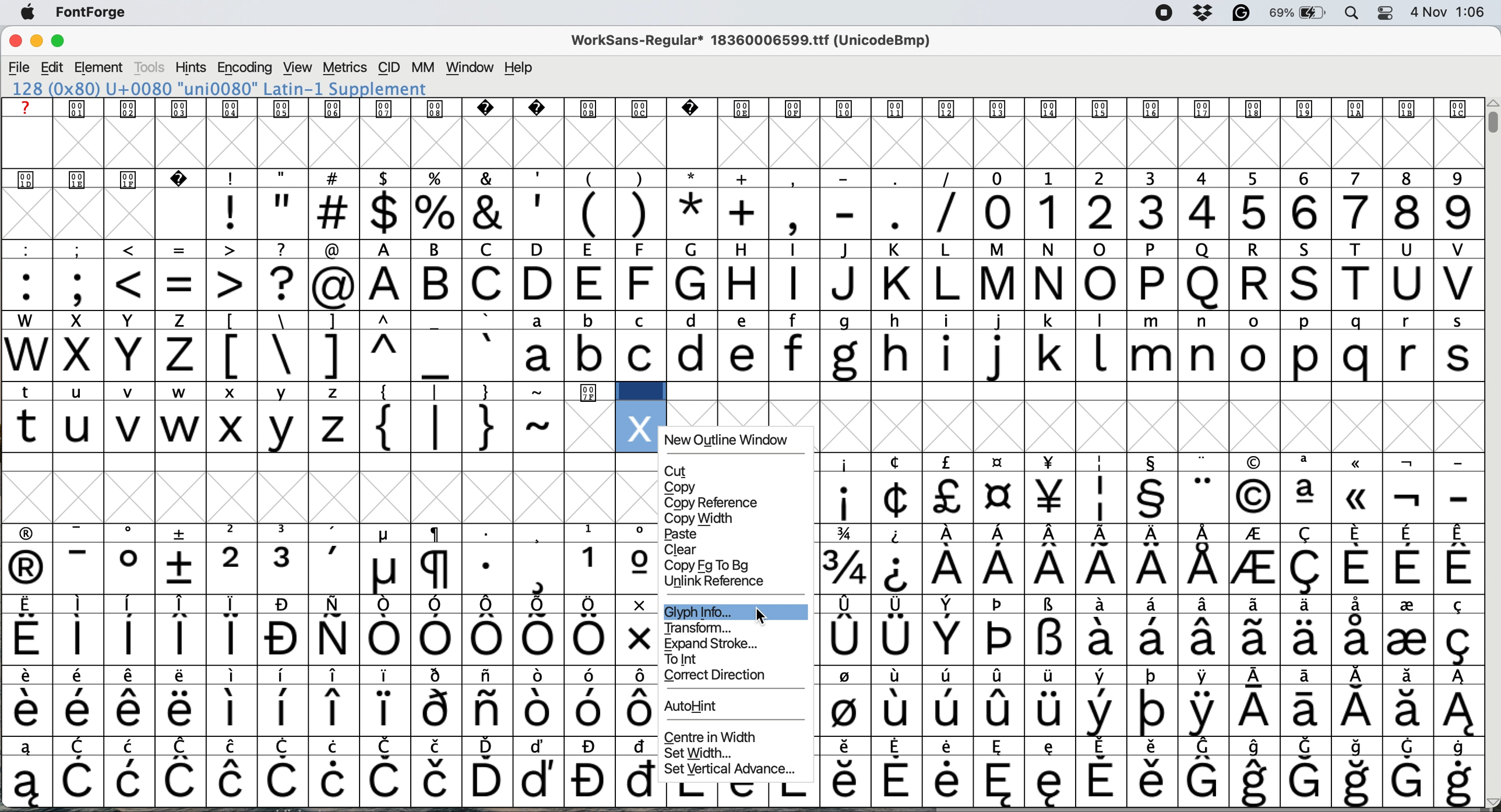  Describe the element at coordinates (701, 707) in the screenshot. I see `AutoHint` at that location.